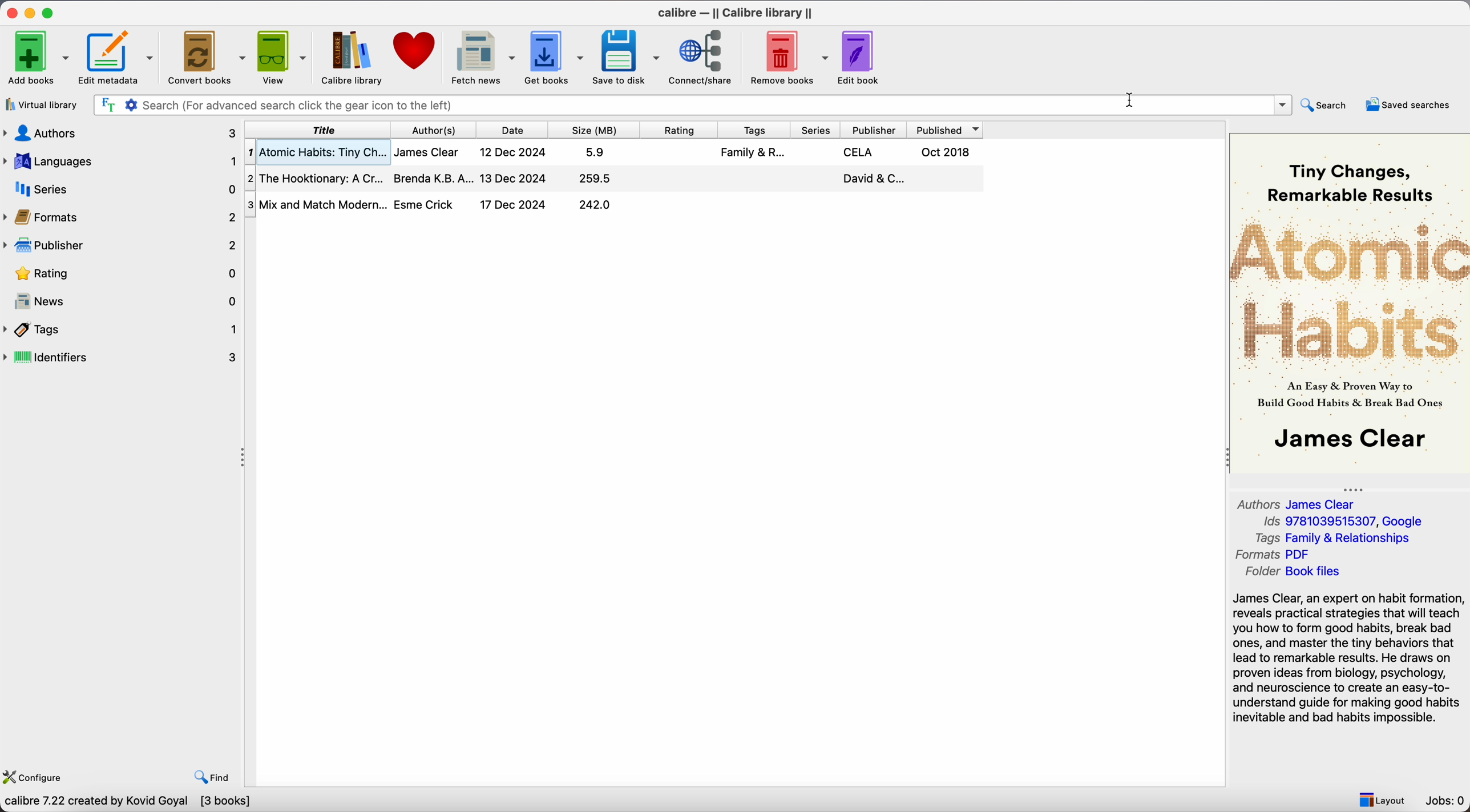 The height and width of the screenshot is (812, 1470). I want to click on Ids 9781039515307, Google, so click(1344, 522).